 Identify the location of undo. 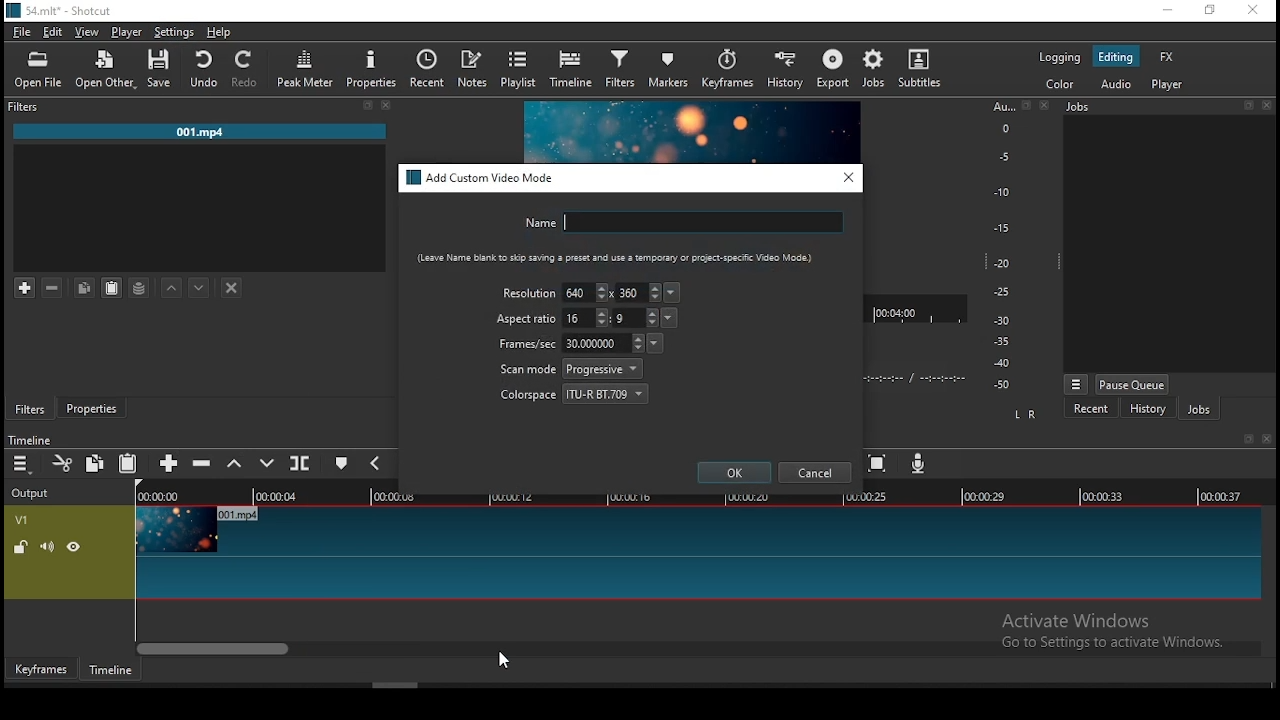
(205, 69).